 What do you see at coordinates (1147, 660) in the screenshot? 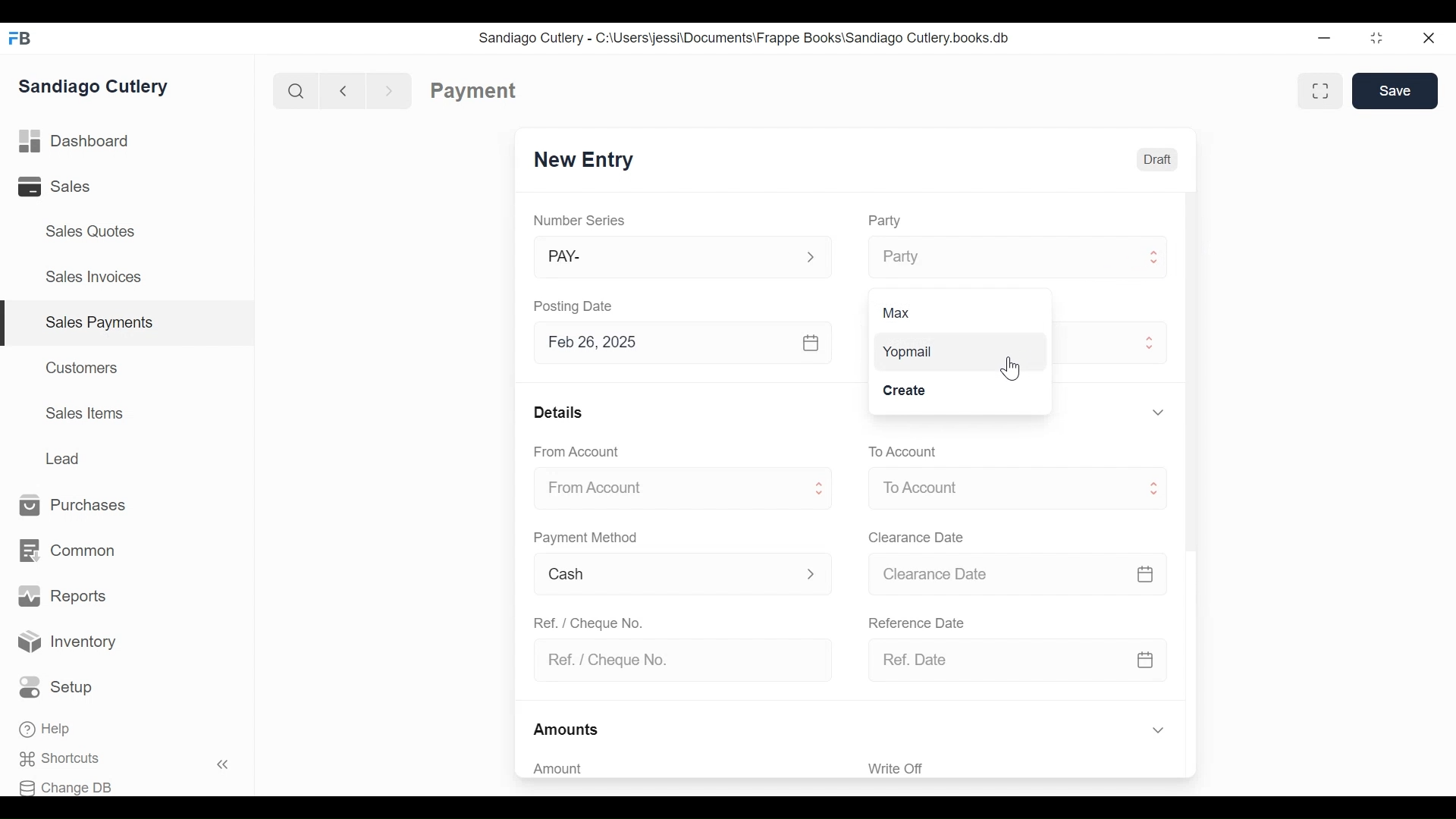
I see `Calendar` at bounding box center [1147, 660].